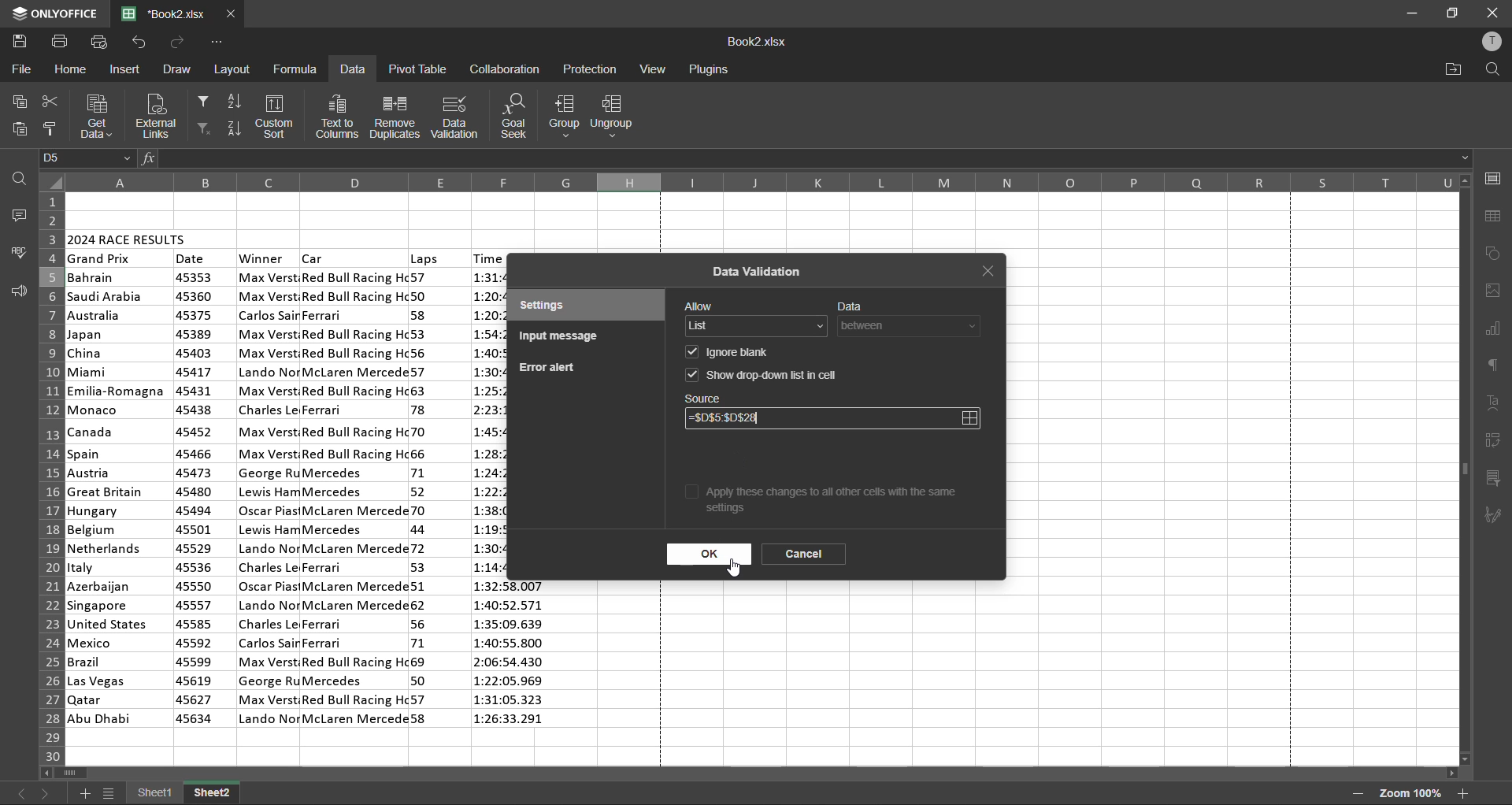 The height and width of the screenshot is (805, 1512). What do you see at coordinates (101, 259) in the screenshot?
I see `grand prix` at bounding box center [101, 259].